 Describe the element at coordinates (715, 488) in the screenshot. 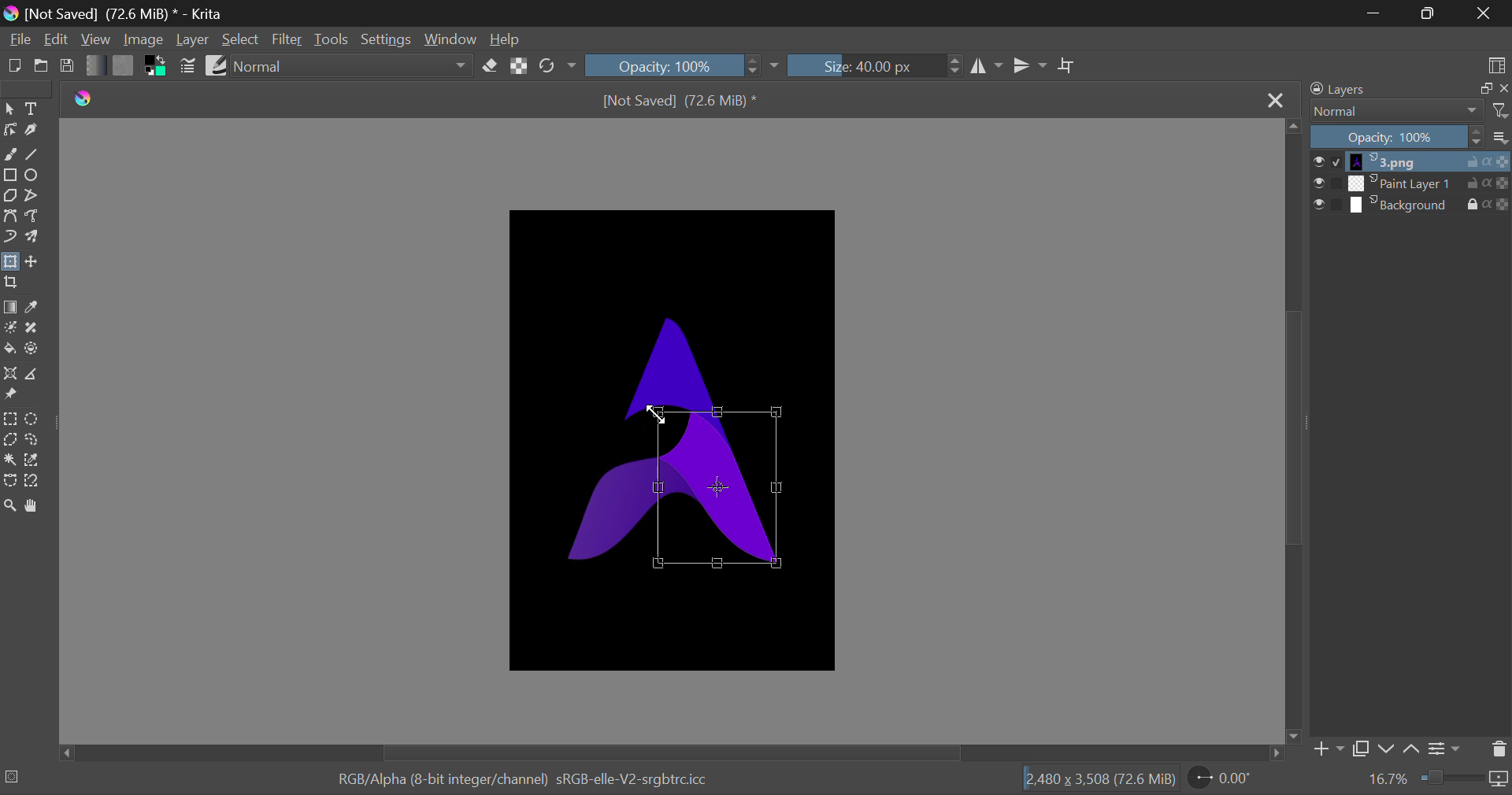

I see `Contour Selected` at that location.